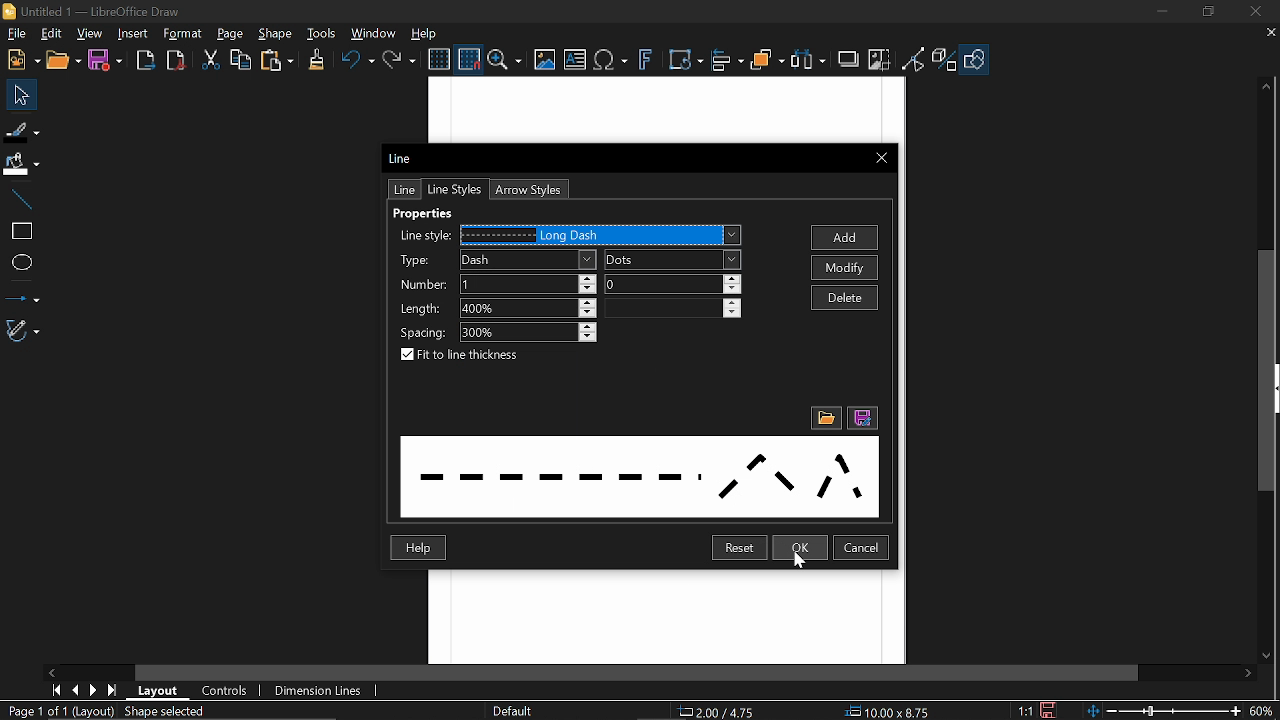 The width and height of the screenshot is (1280, 720). I want to click on Length, so click(529, 309).